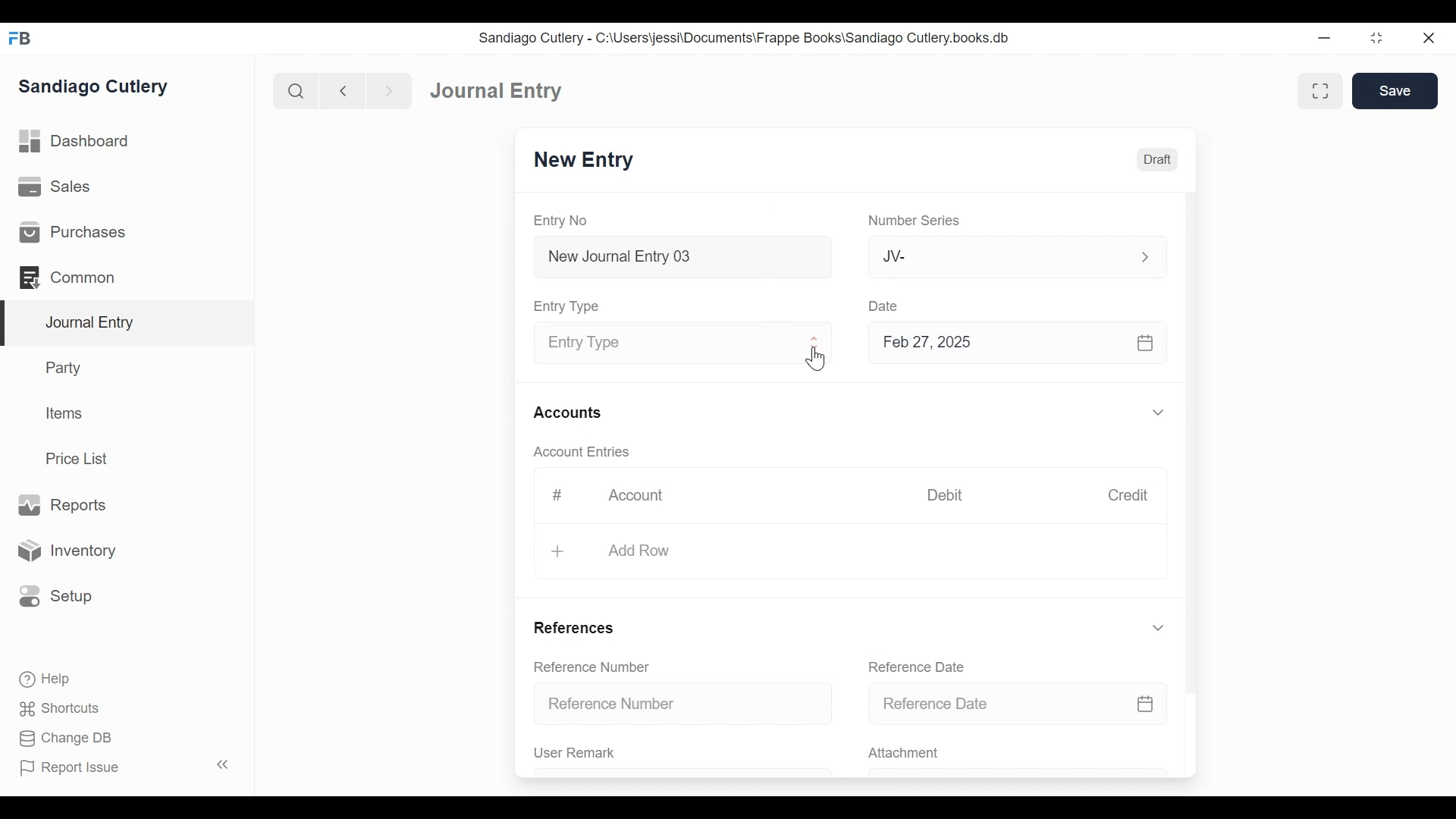 This screenshot has height=819, width=1456. What do you see at coordinates (886, 306) in the screenshot?
I see `Date` at bounding box center [886, 306].